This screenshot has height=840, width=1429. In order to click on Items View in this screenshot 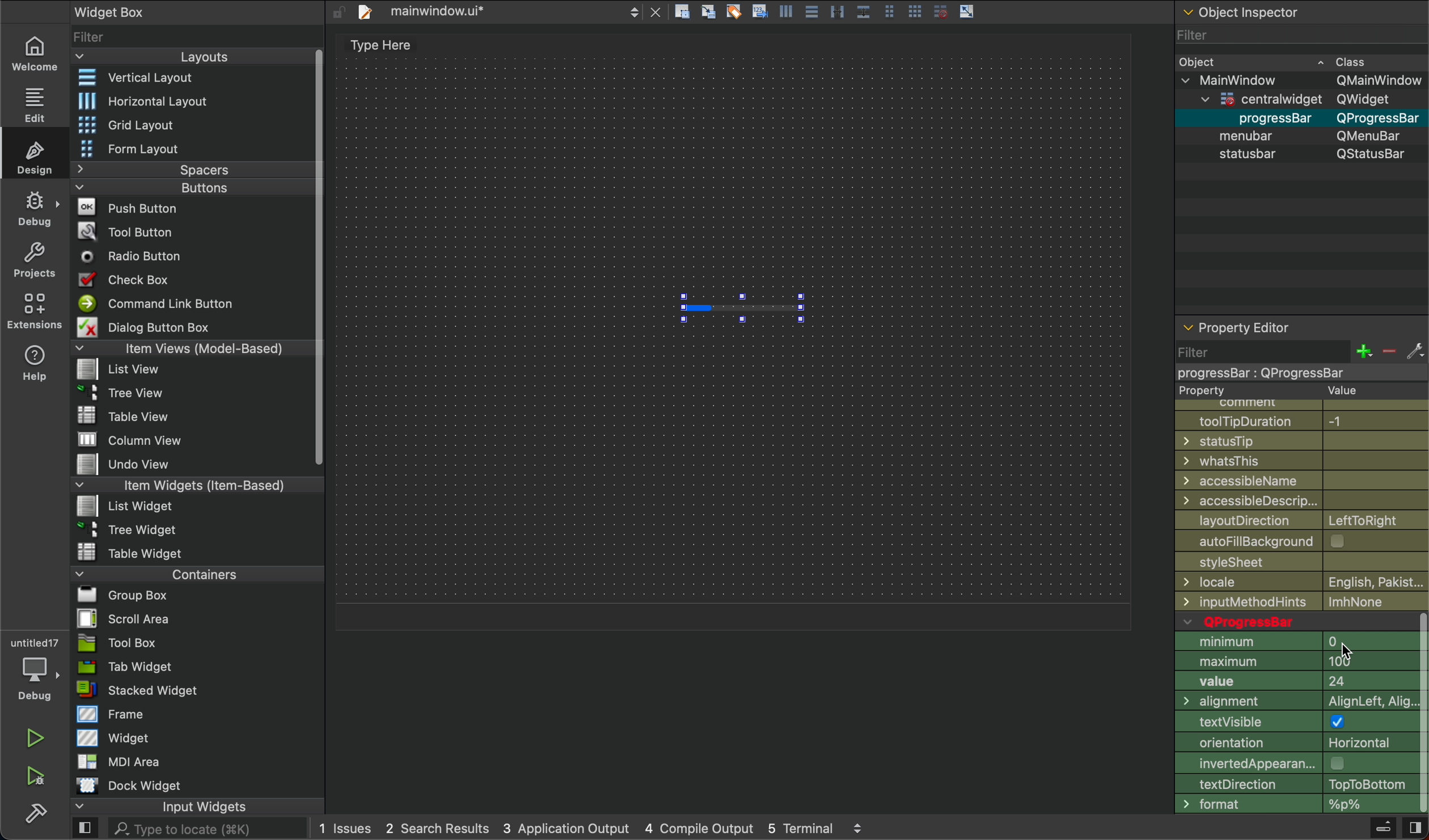, I will do `click(188, 347)`.